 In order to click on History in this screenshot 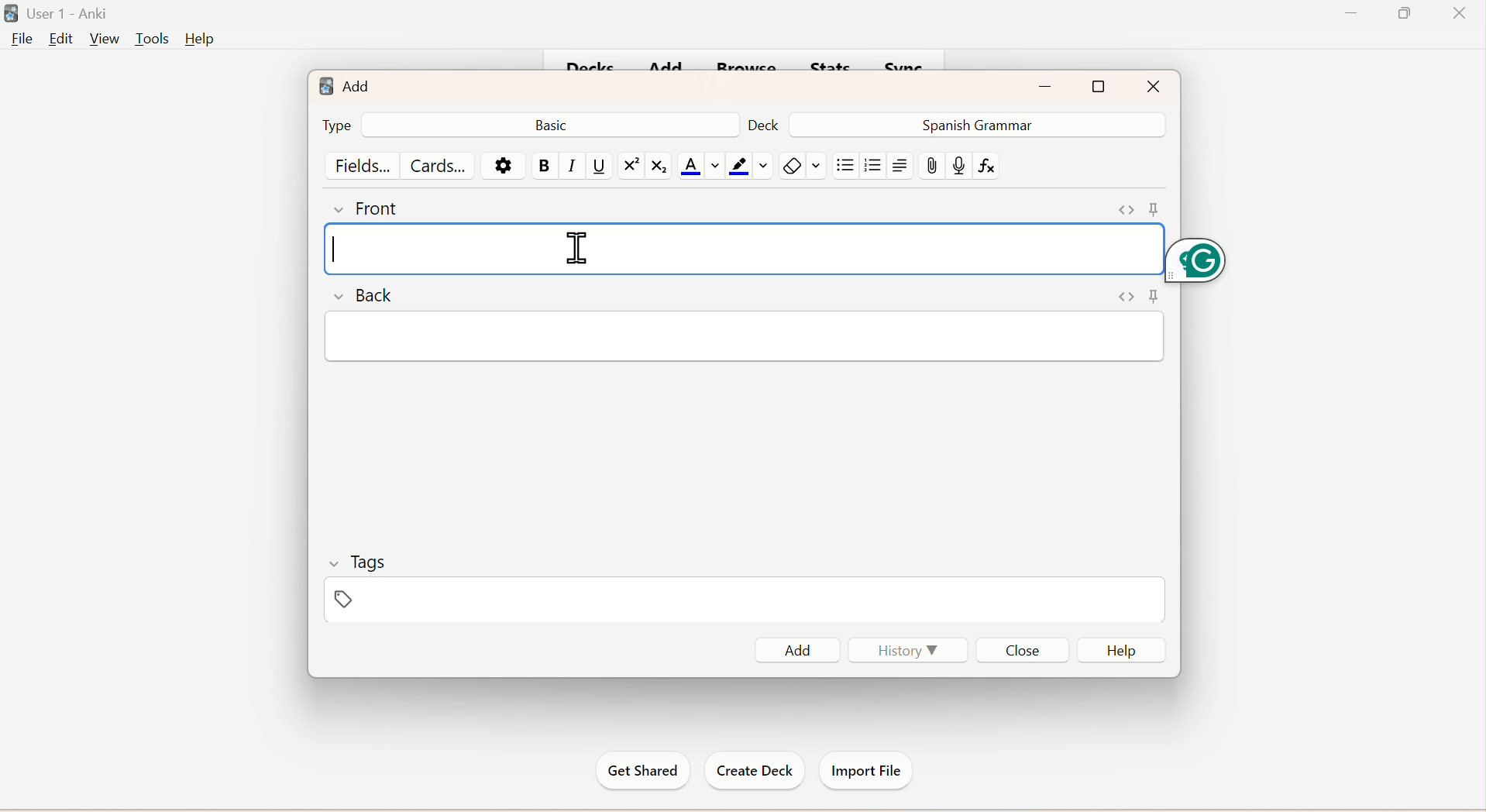, I will do `click(910, 654)`.